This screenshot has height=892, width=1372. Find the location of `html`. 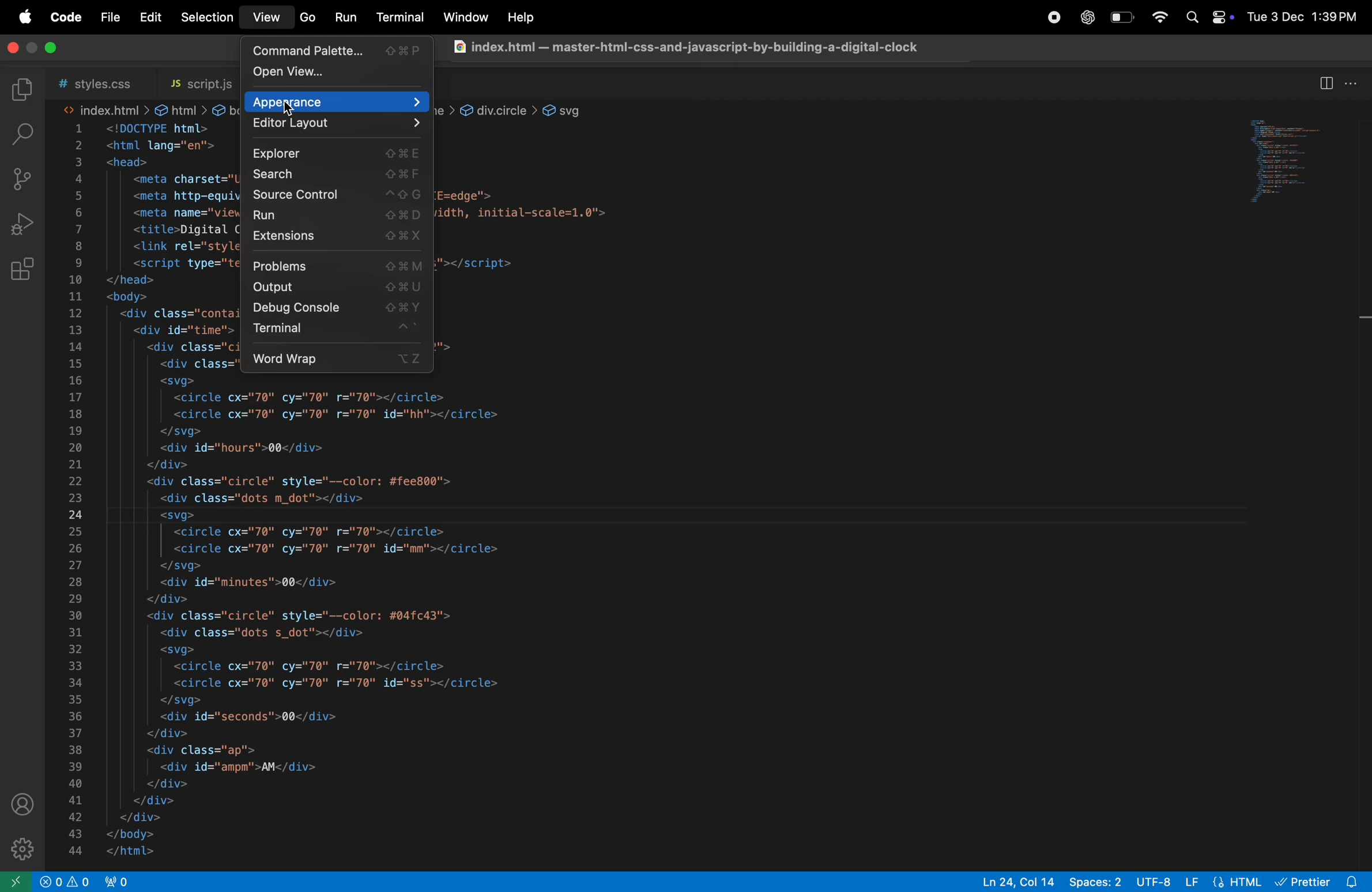

html is located at coordinates (179, 109).